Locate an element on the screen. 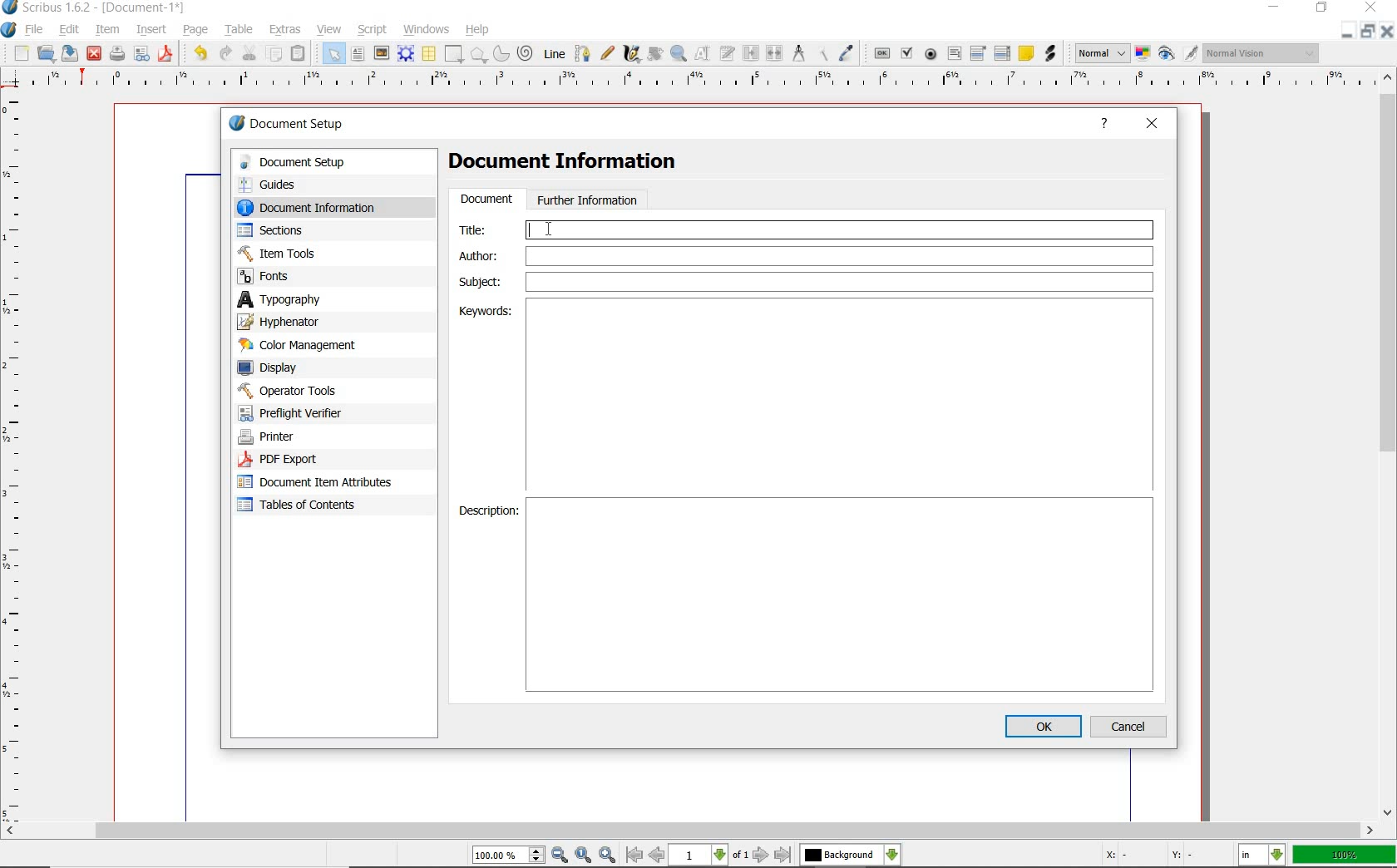 This screenshot has width=1397, height=868. close is located at coordinates (1371, 7).